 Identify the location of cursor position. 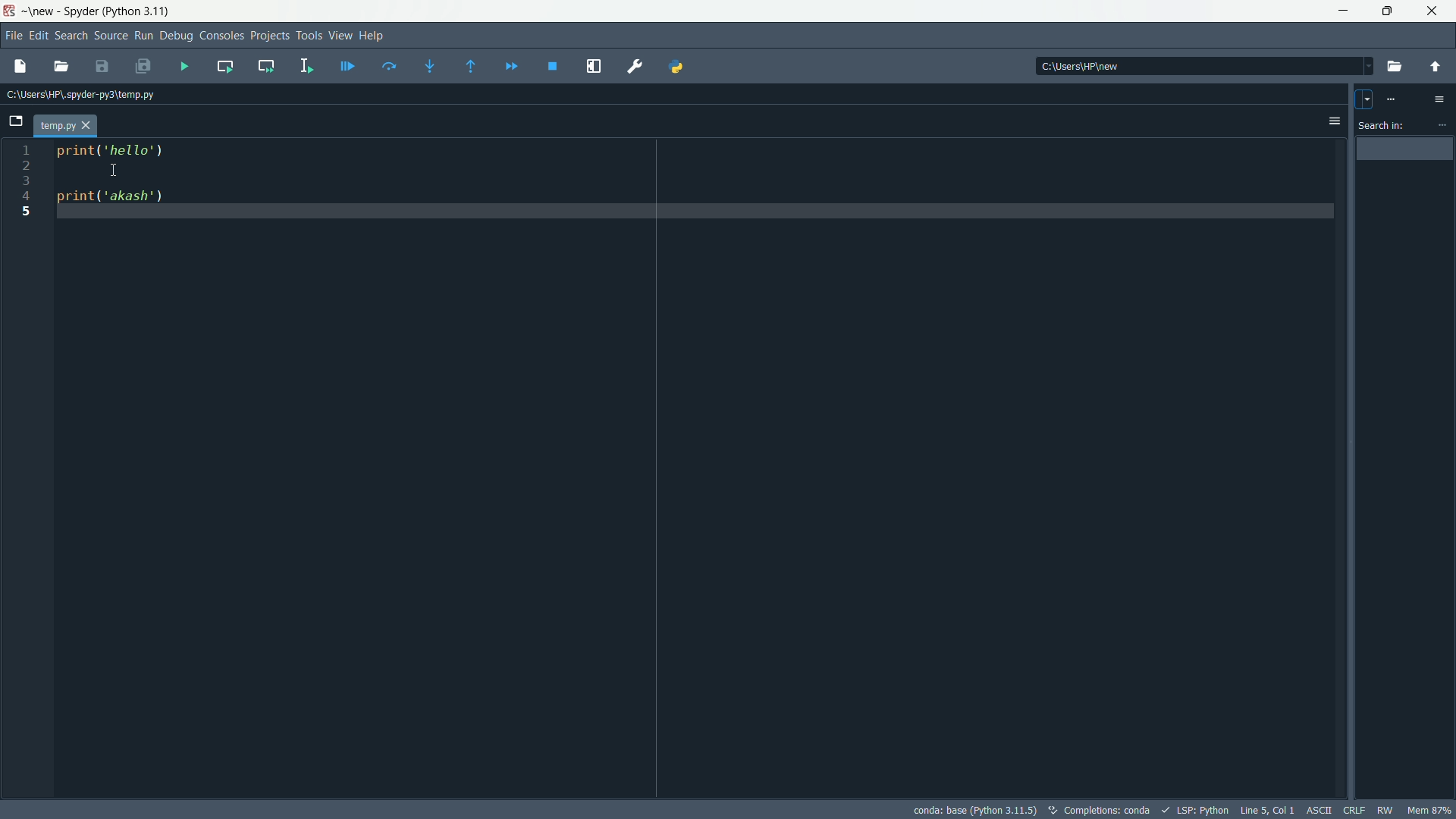
(1268, 810).